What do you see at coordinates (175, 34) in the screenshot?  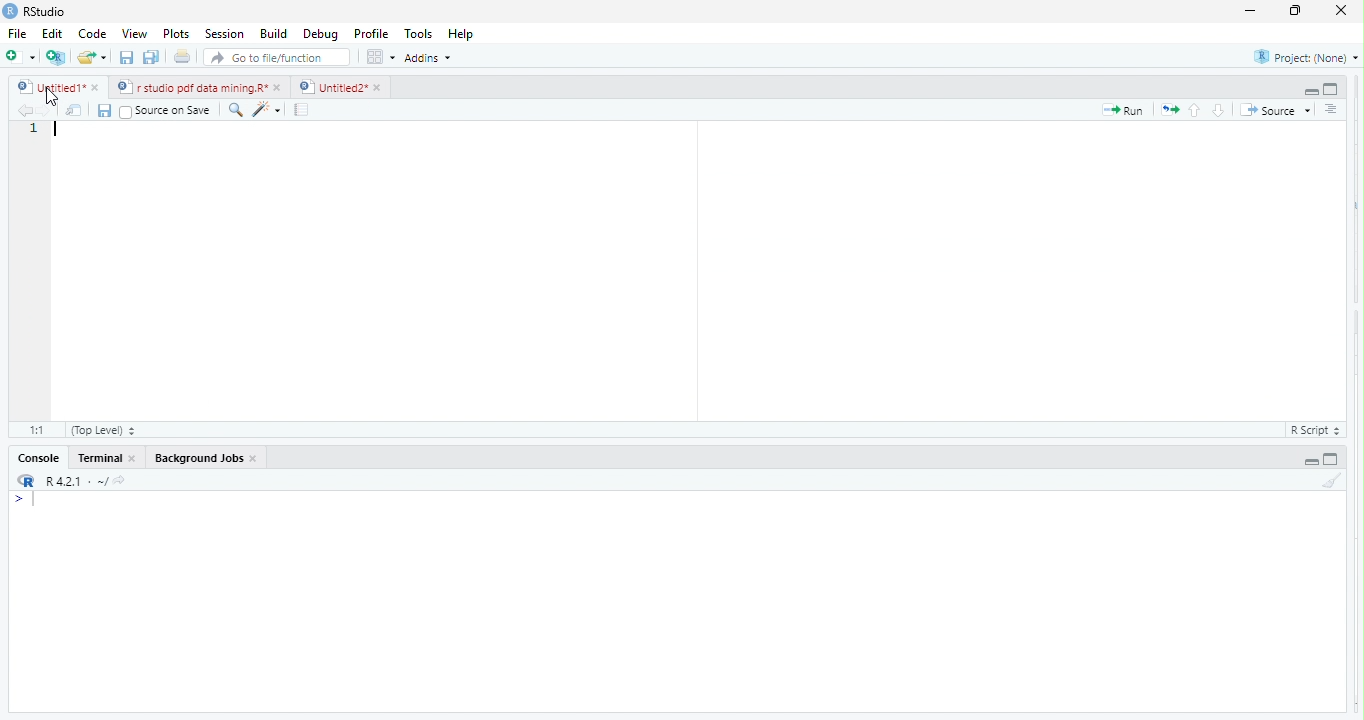 I see `Plots` at bounding box center [175, 34].